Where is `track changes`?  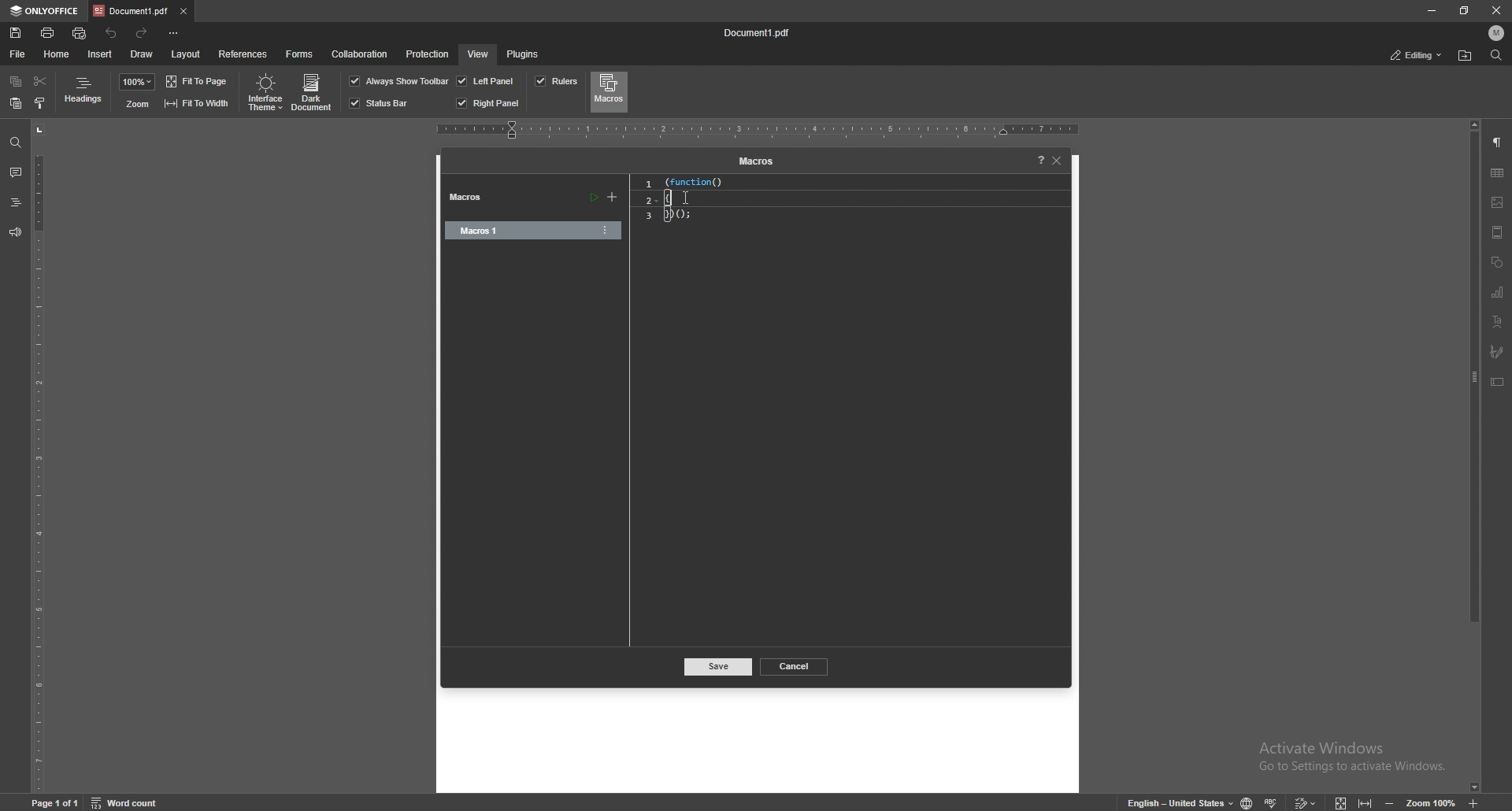
track changes is located at coordinates (1307, 802).